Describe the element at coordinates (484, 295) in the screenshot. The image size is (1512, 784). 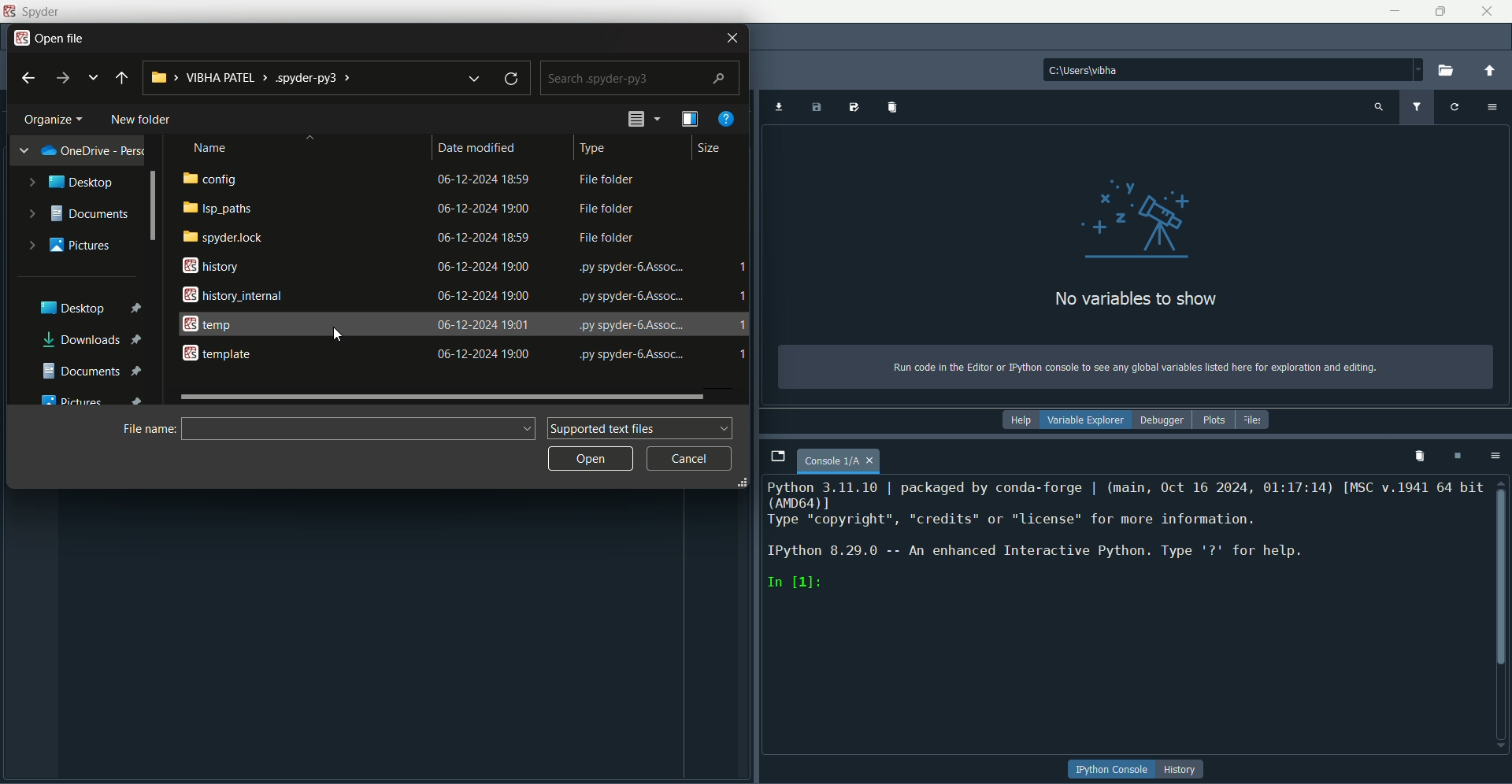
I see `date` at that location.